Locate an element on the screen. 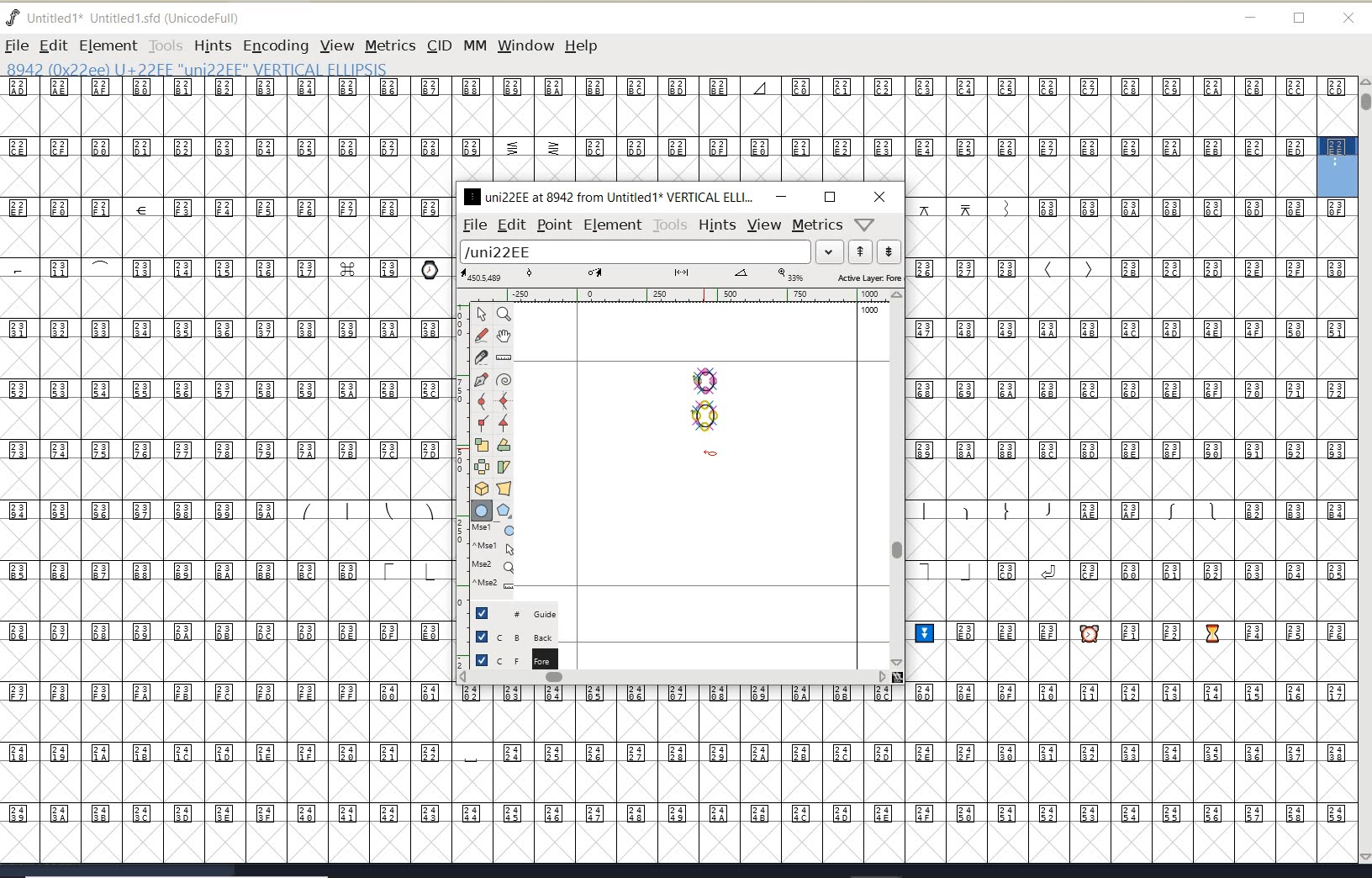  minimize is located at coordinates (1251, 18).